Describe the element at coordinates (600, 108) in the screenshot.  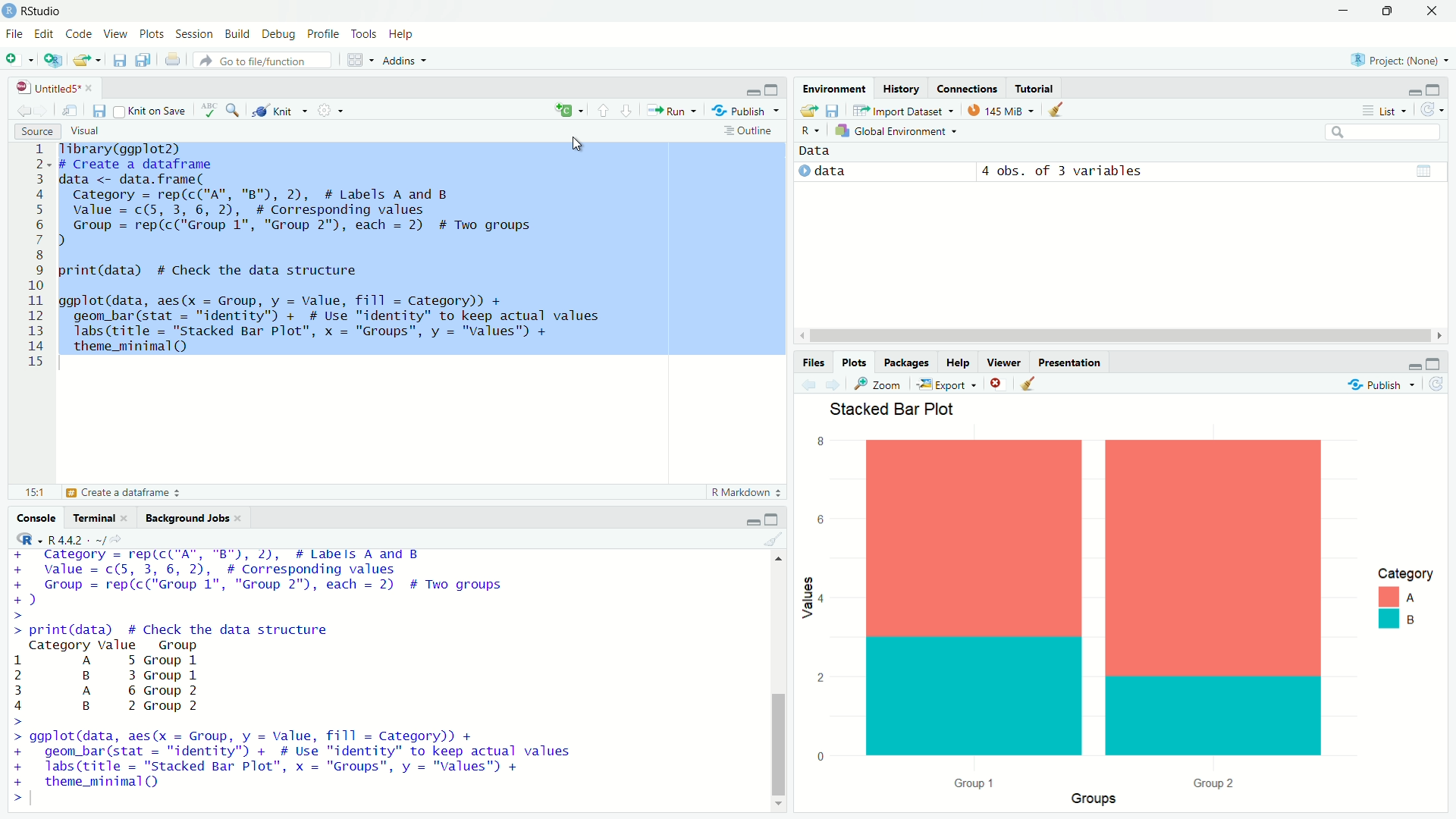
I see `Go to previous section/chunk (Ctrl + PgUp)` at that location.